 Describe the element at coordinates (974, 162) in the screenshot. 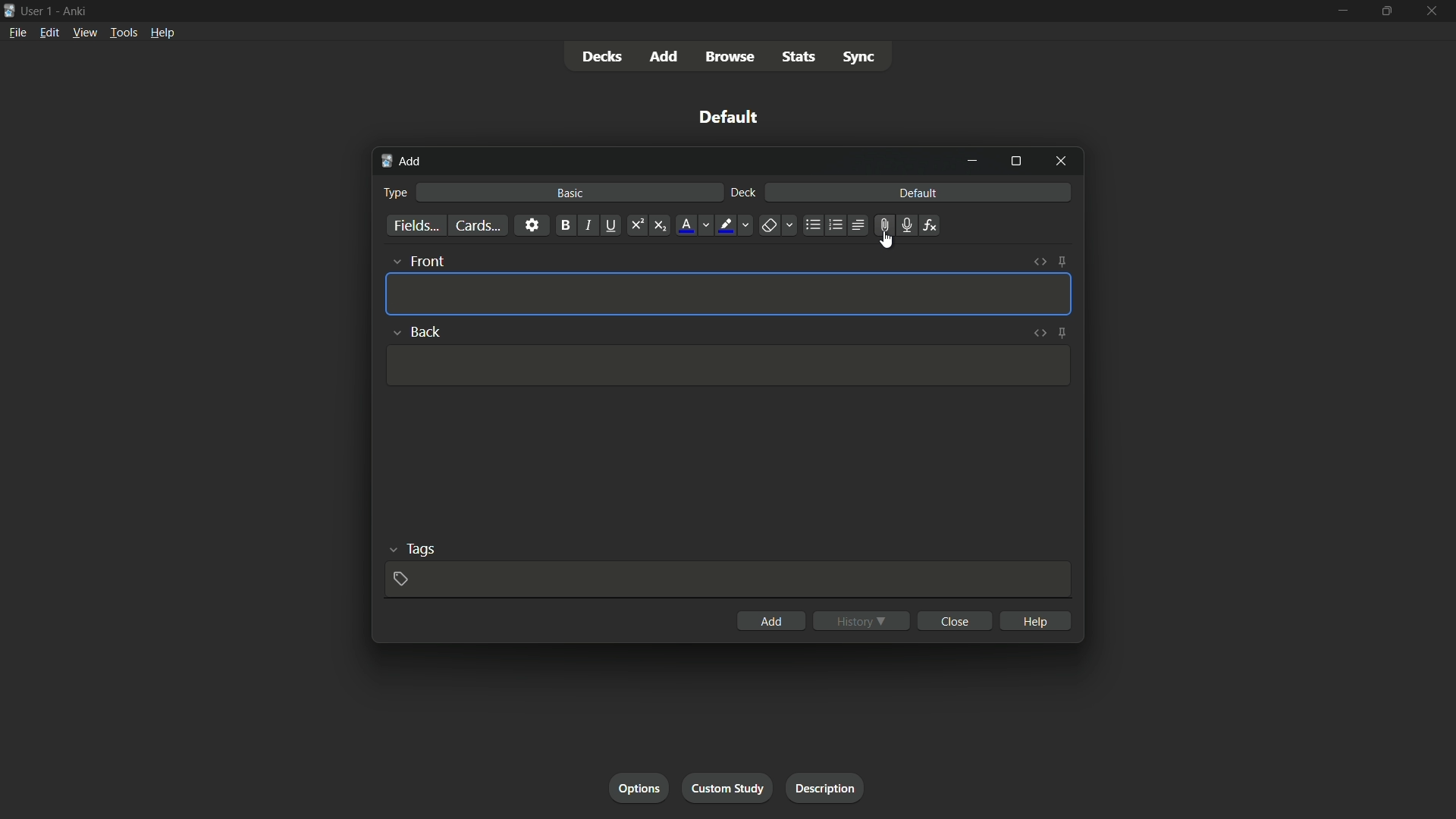

I see `minimize` at that location.